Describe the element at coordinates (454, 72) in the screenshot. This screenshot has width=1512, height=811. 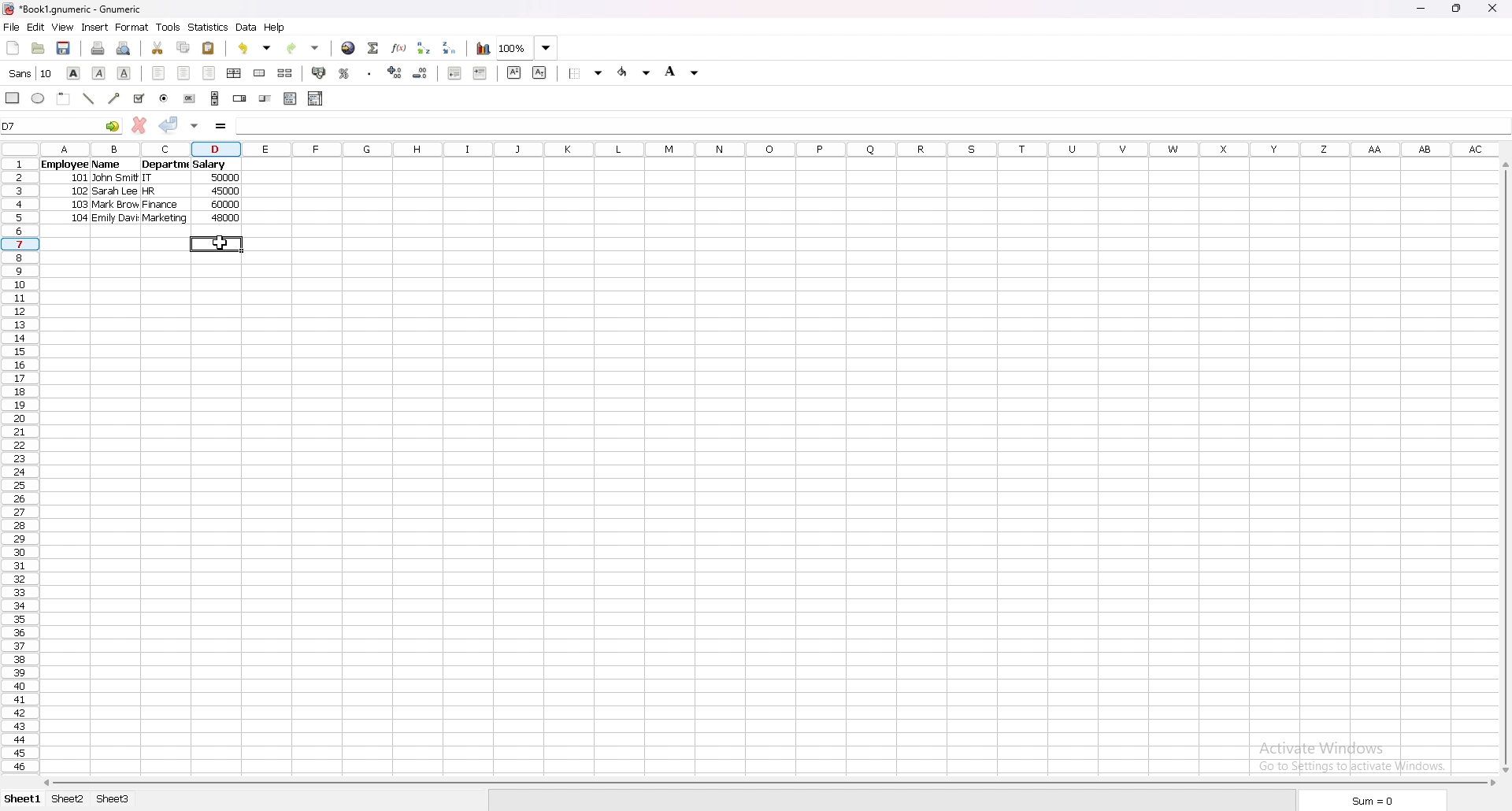
I see `decrease indent` at that location.